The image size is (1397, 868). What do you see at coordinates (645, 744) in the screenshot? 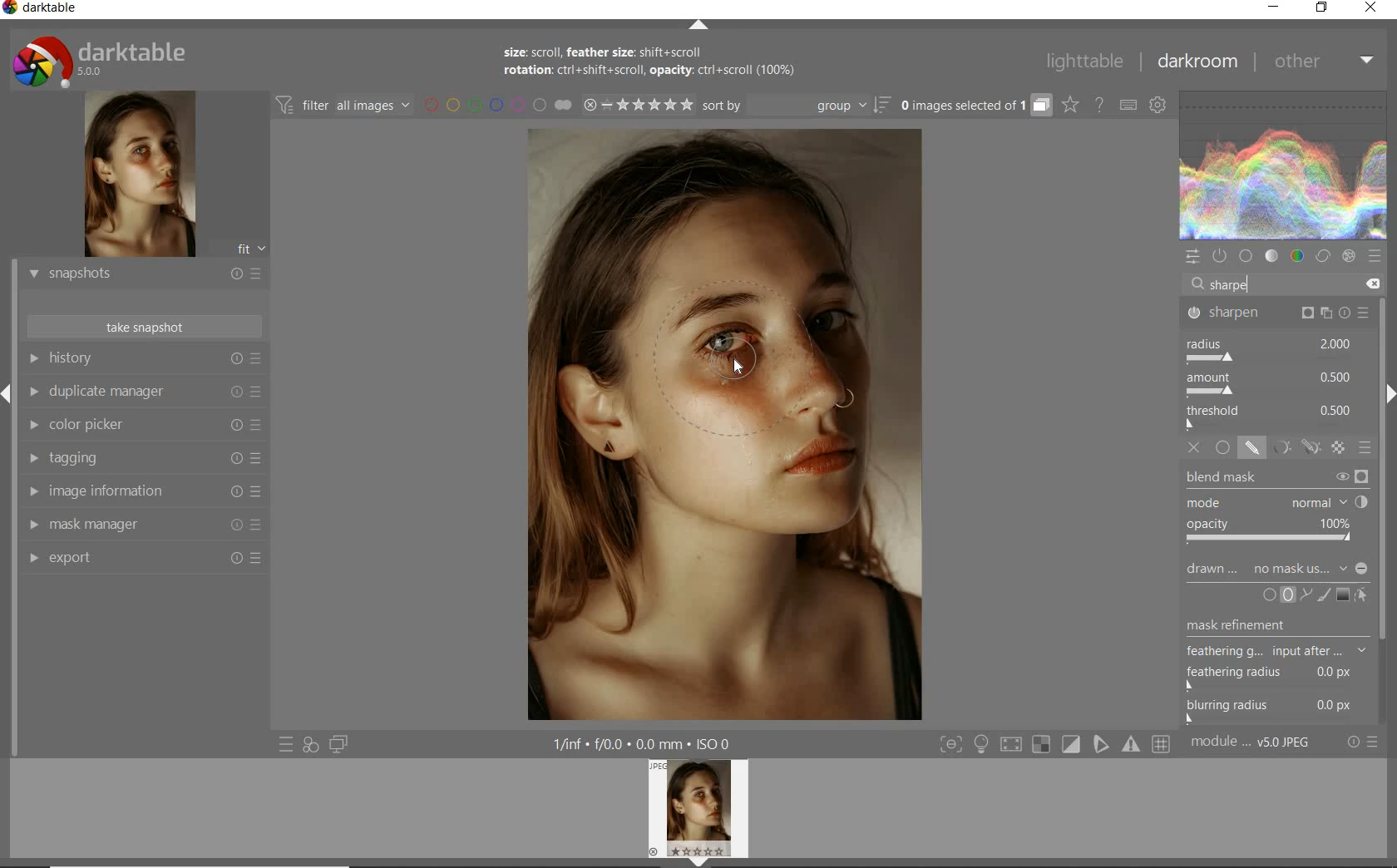
I see `other display information` at bounding box center [645, 744].